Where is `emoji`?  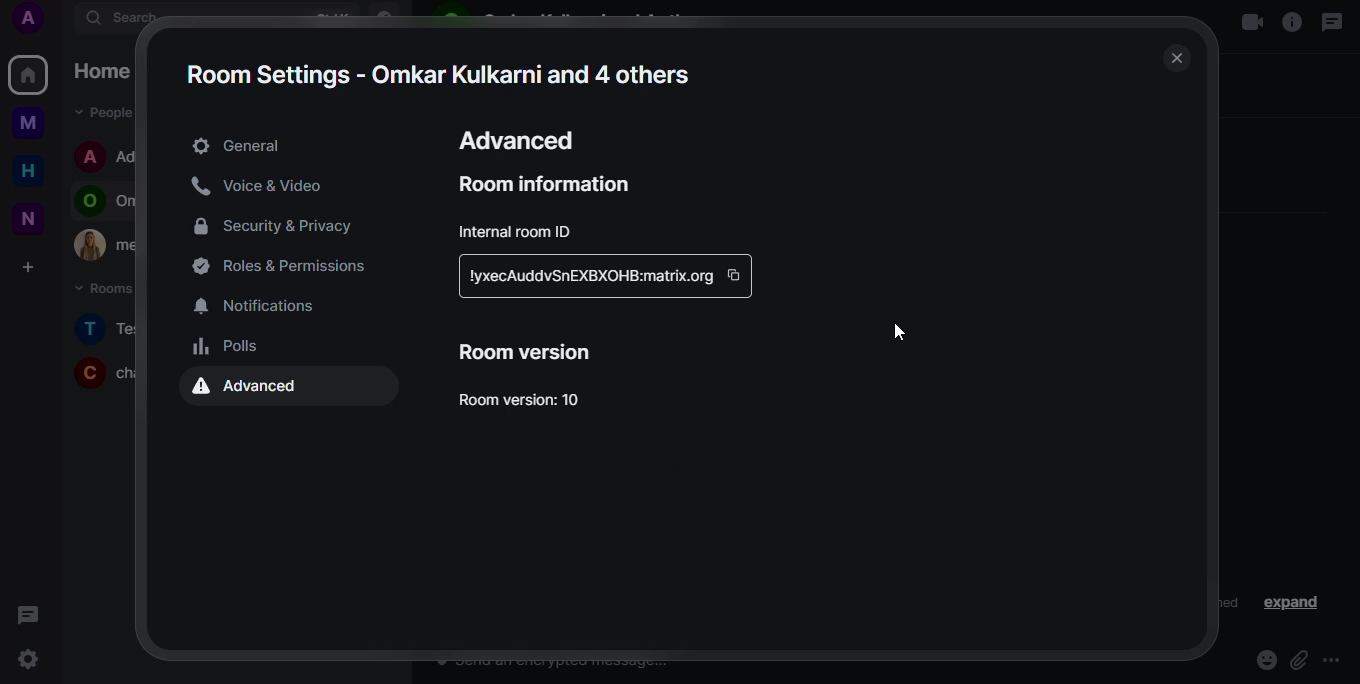 emoji is located at coordinates (1263, 661).